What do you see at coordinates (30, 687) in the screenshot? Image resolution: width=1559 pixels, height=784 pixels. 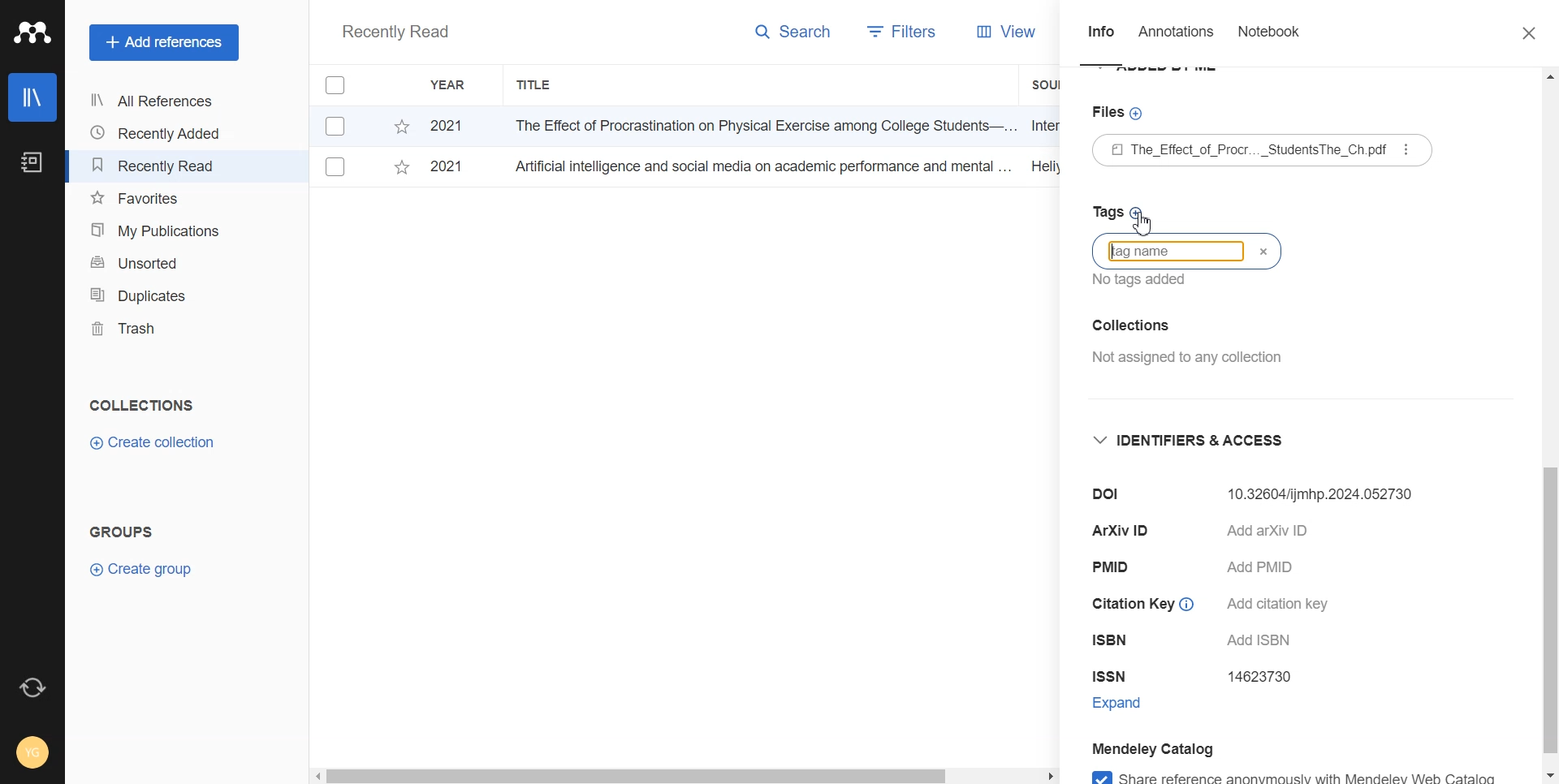 I see `Auto sync` at bounding box center [30, 687].